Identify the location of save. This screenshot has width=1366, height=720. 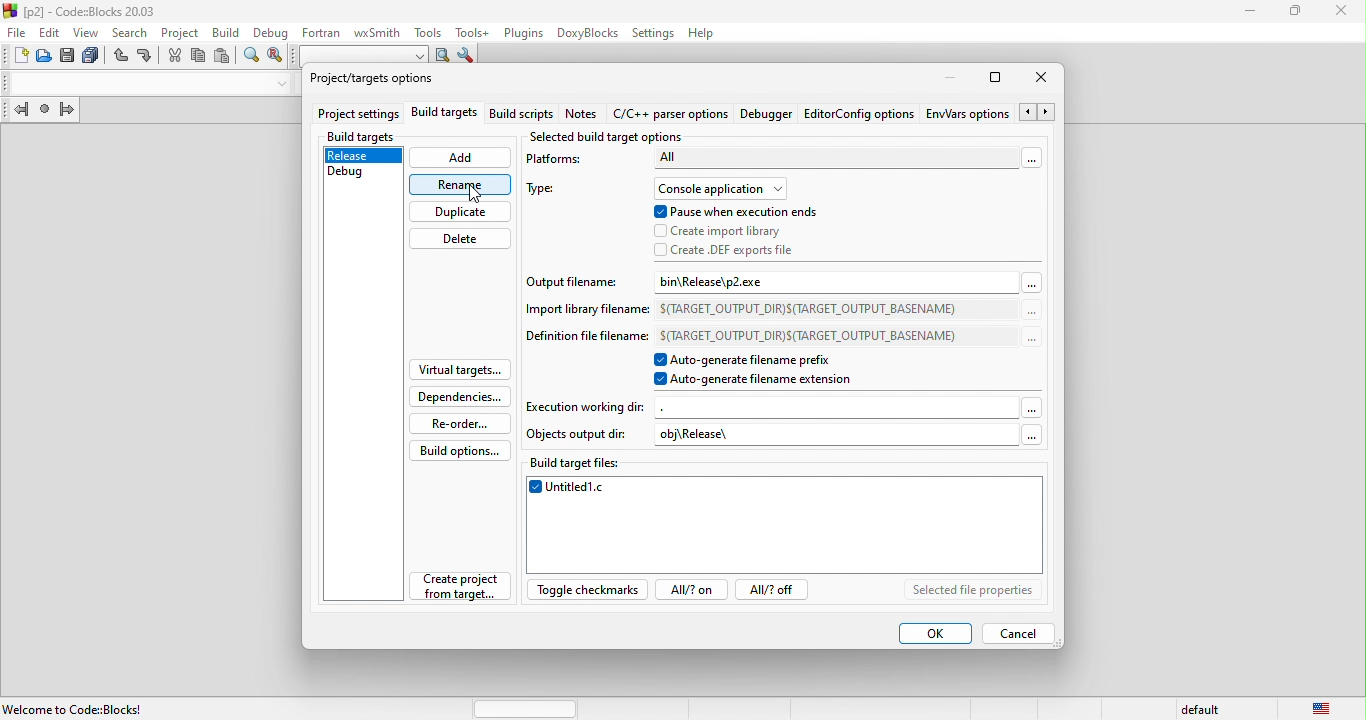
(69, 57).